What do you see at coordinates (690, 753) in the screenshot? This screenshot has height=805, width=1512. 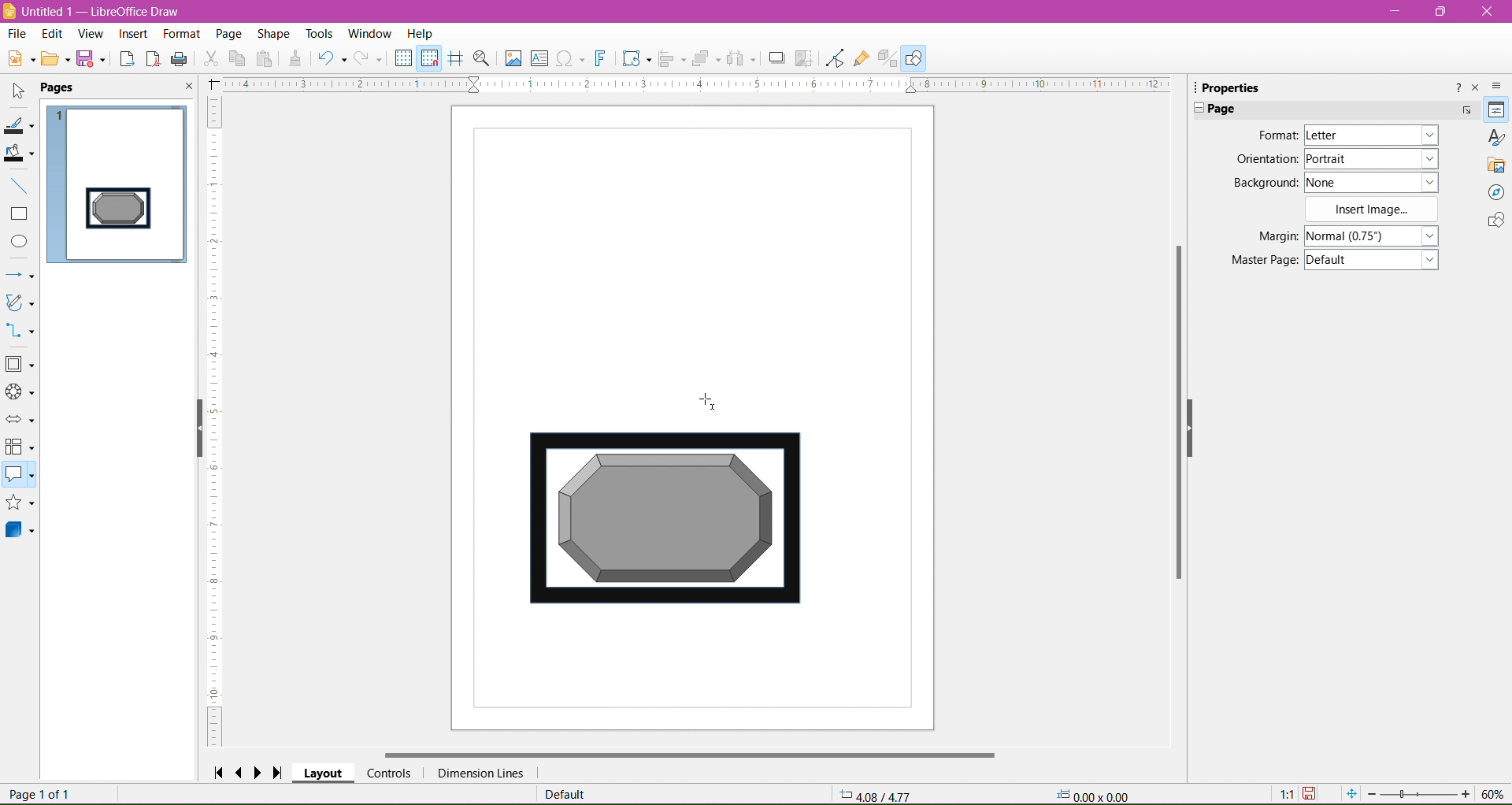 I see `Horizontal Scroll Bar` at bounding box center [690, 753].